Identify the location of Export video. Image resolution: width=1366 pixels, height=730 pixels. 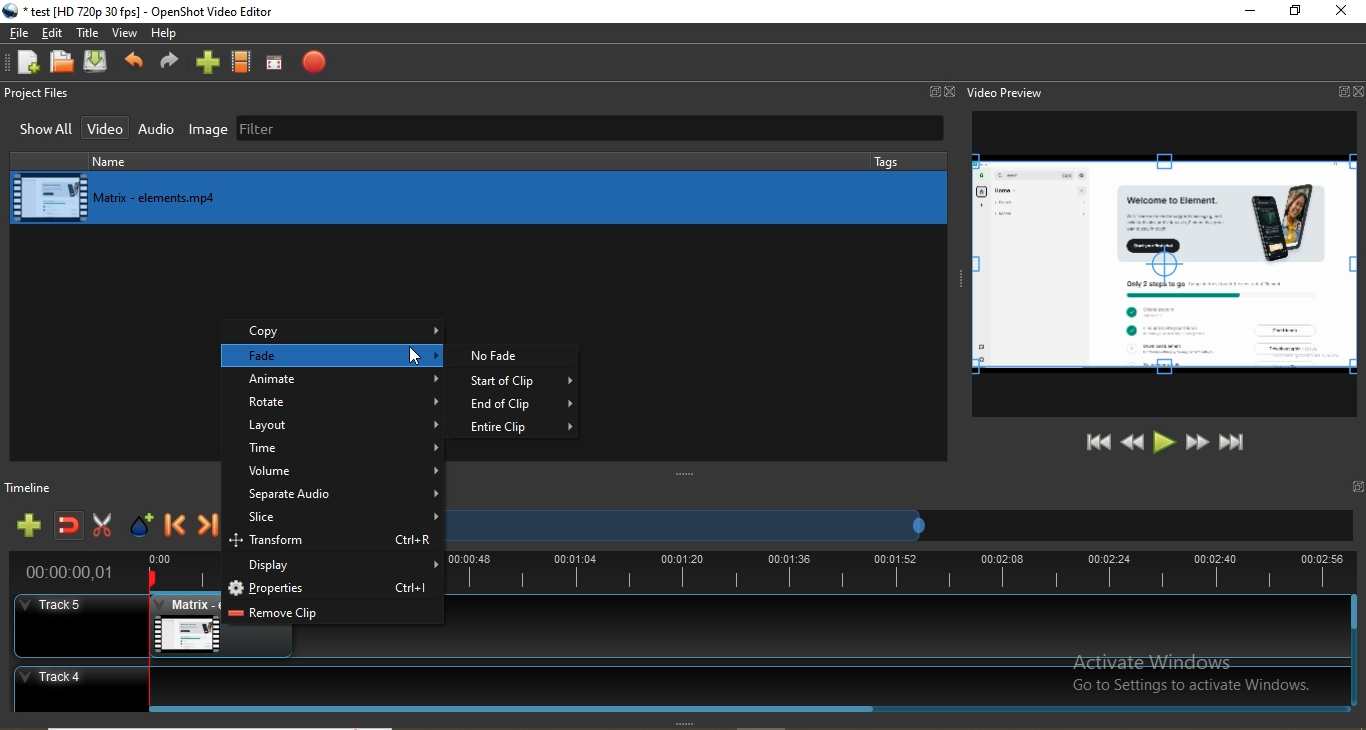
(310, 62).